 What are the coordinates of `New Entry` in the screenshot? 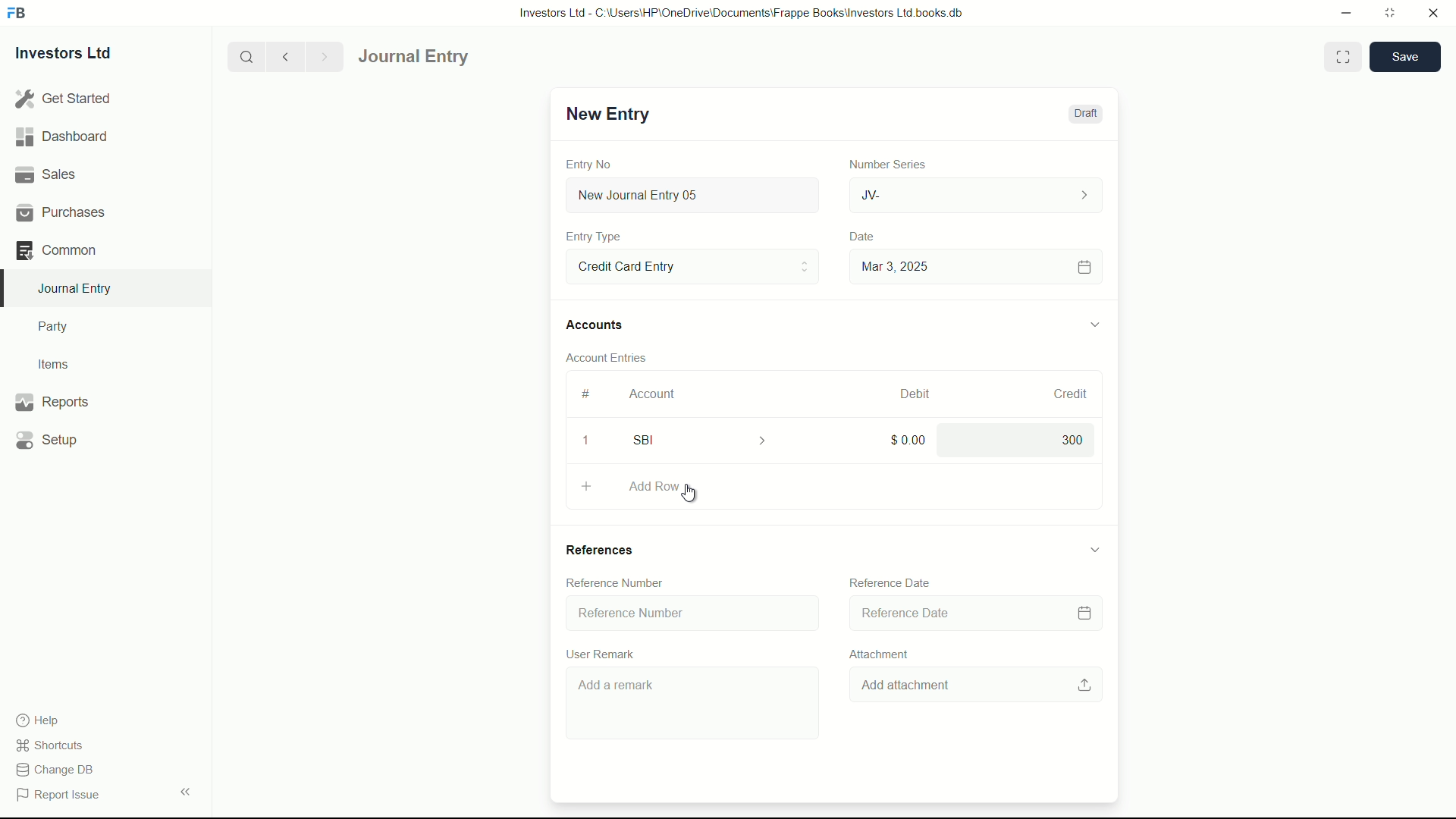 It's located at (605, 114).